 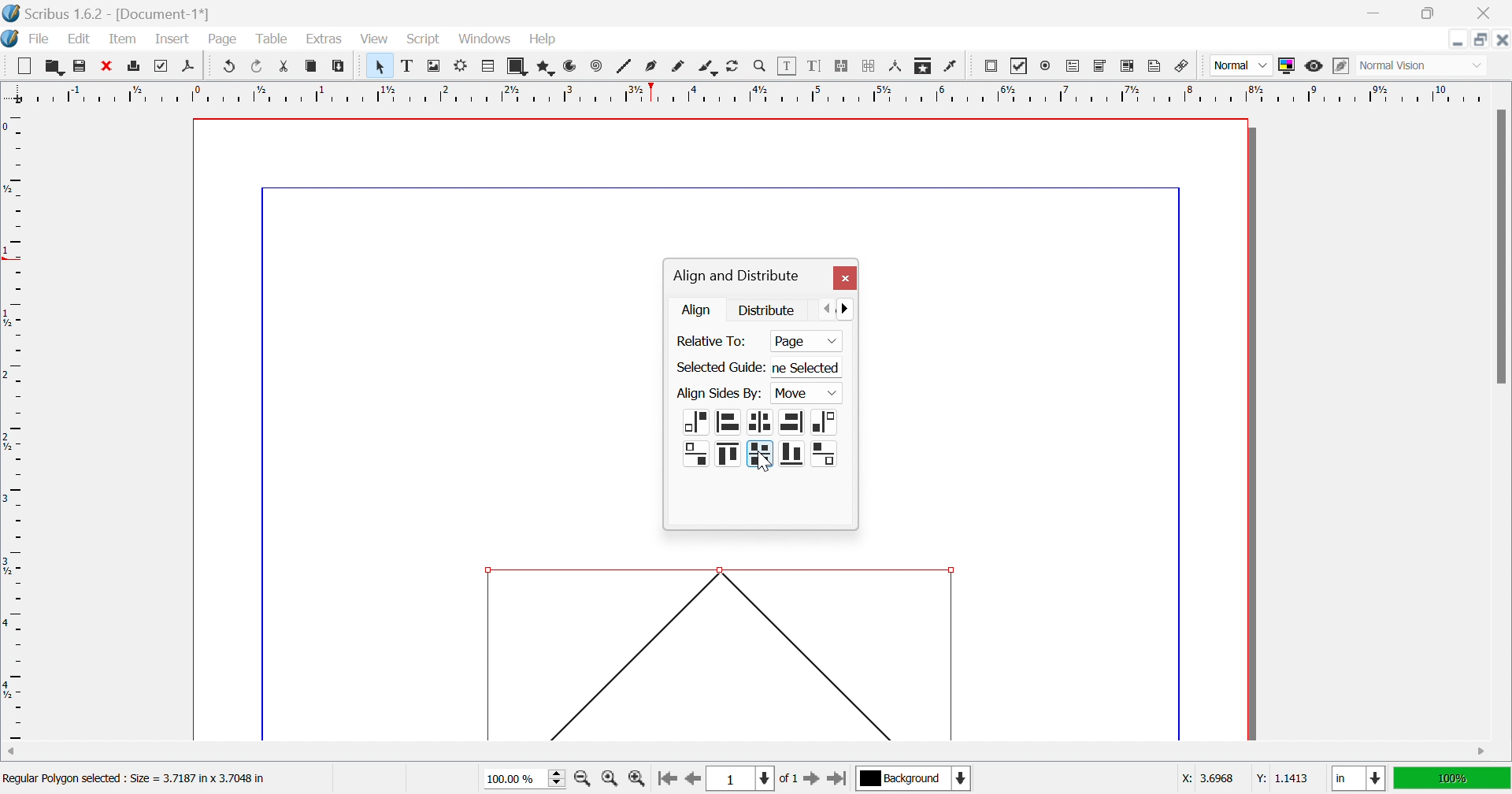 What do you see at coordinates (1286, 65) in the screenshot?
I see `Toggle Color Management System` at bounding box center [1286, 65].